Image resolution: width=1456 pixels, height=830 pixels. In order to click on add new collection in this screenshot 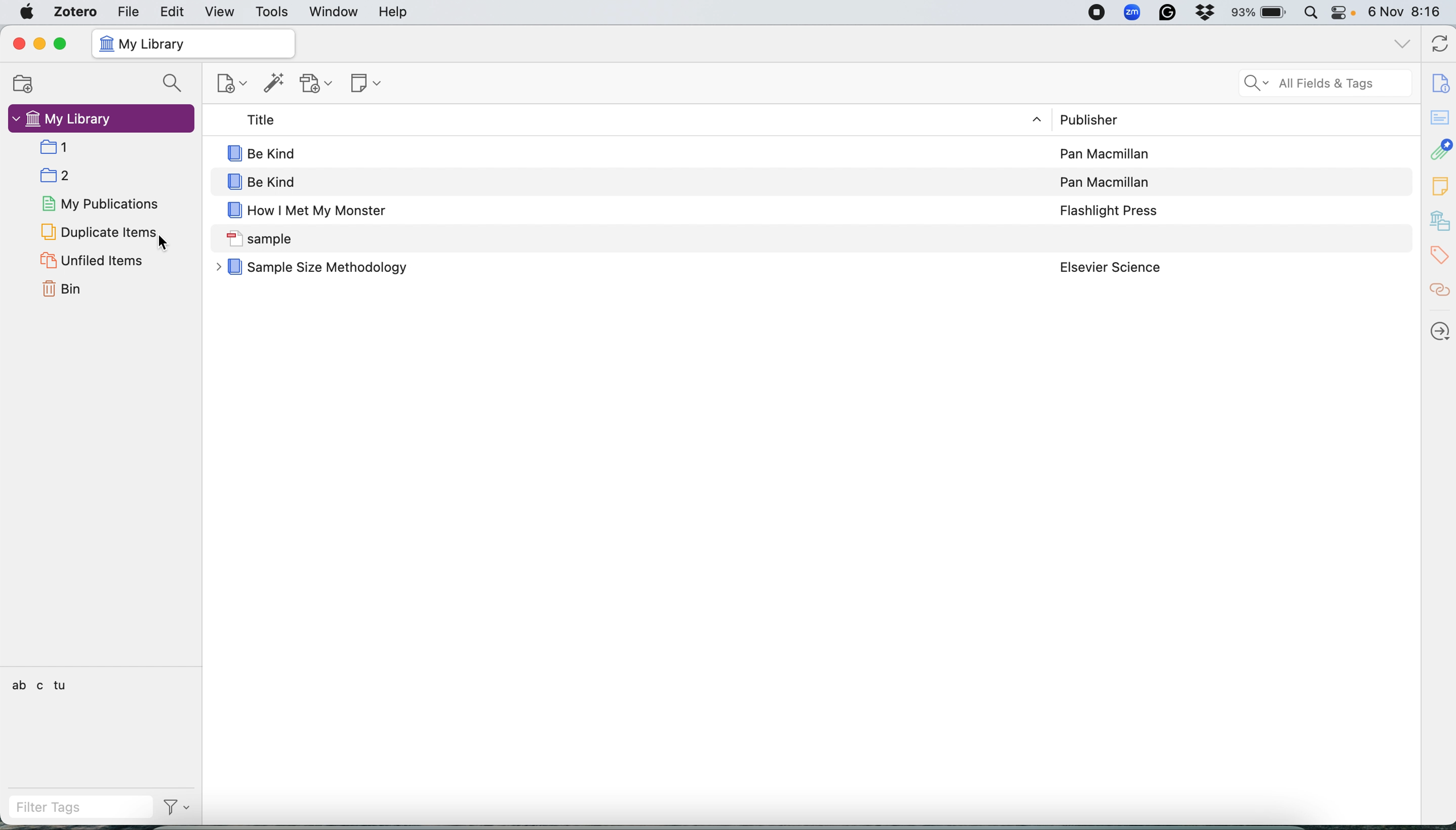, I will do `click(22, 84)`.